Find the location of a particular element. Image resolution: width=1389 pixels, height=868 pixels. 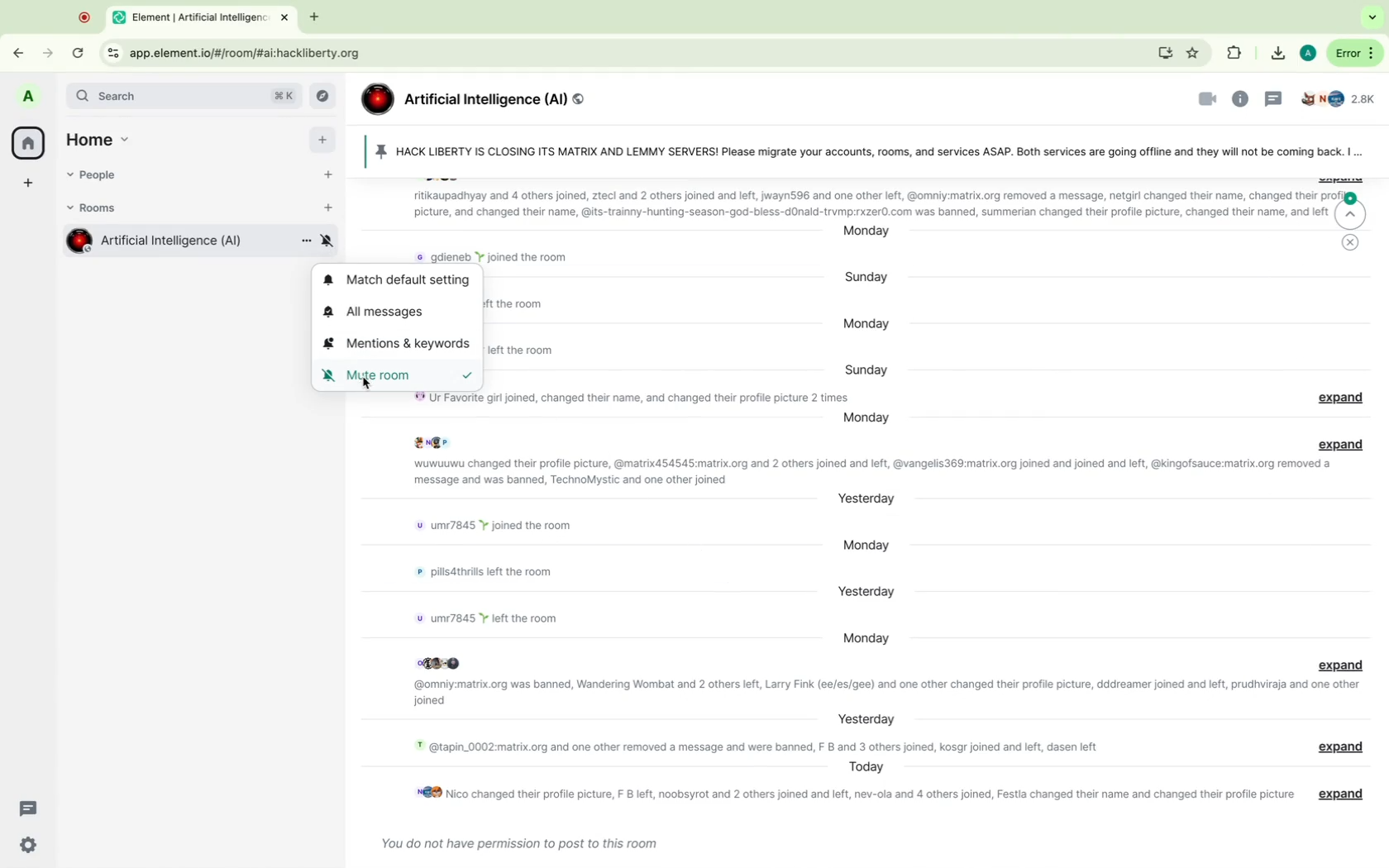

profile pictures is located at coordinates (438, 441).